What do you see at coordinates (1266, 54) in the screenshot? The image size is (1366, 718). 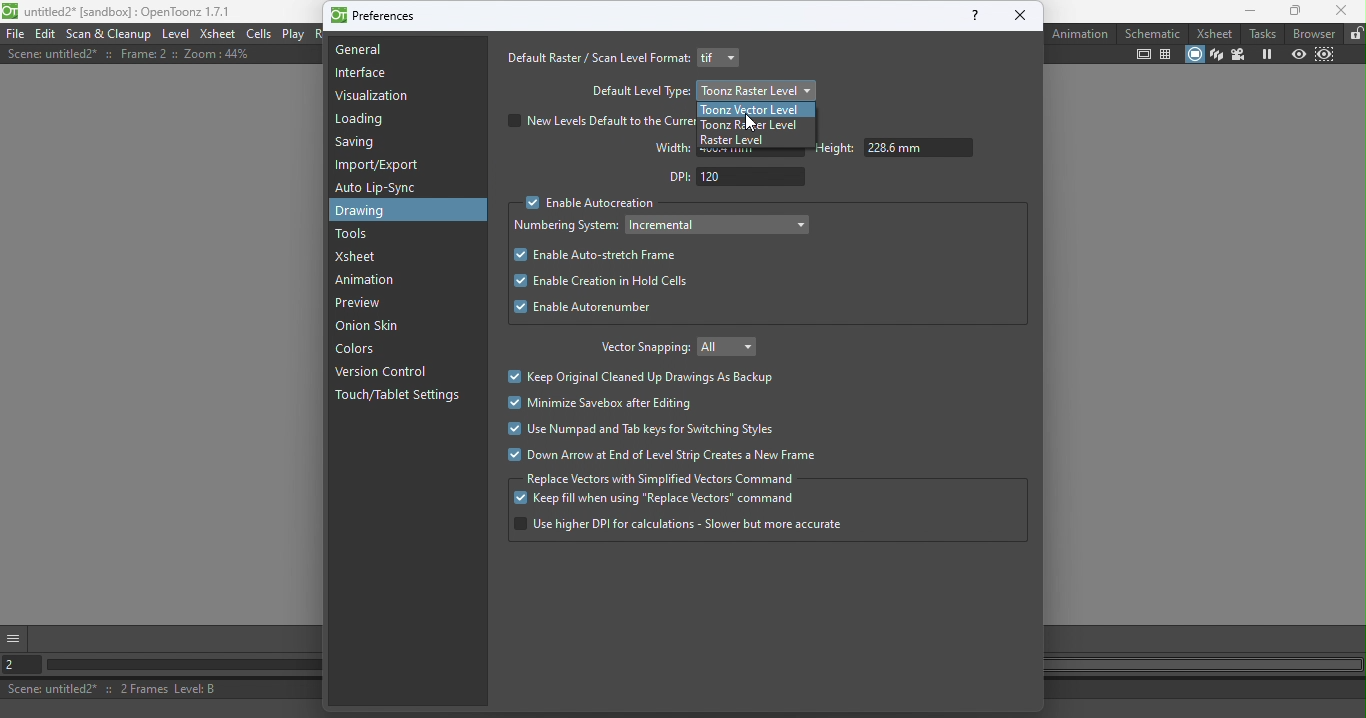 I see `Freeze` at bounding box center [1266, 54].